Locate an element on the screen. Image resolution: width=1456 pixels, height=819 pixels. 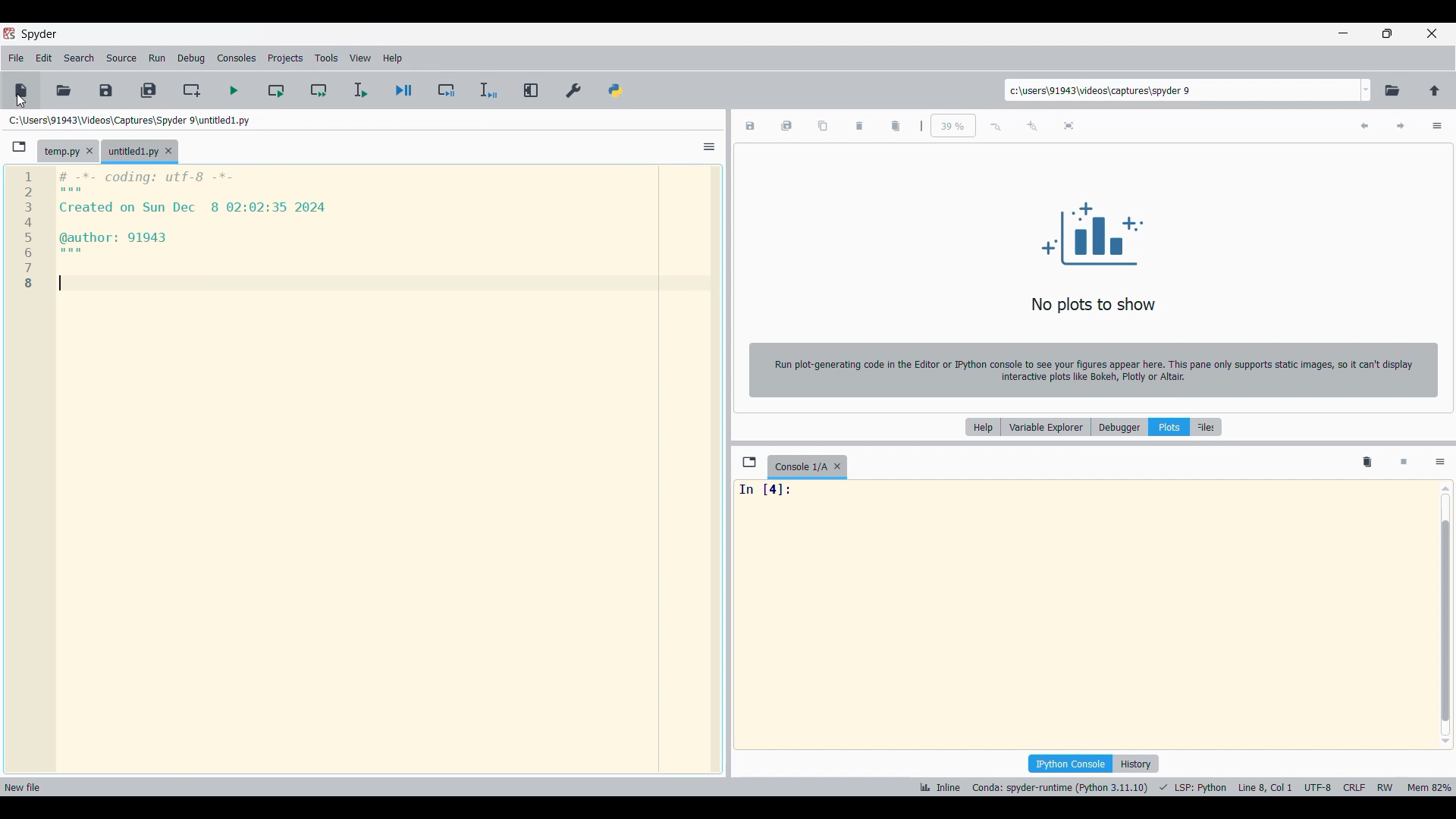
Debug file is located at coordinates (404, 90).